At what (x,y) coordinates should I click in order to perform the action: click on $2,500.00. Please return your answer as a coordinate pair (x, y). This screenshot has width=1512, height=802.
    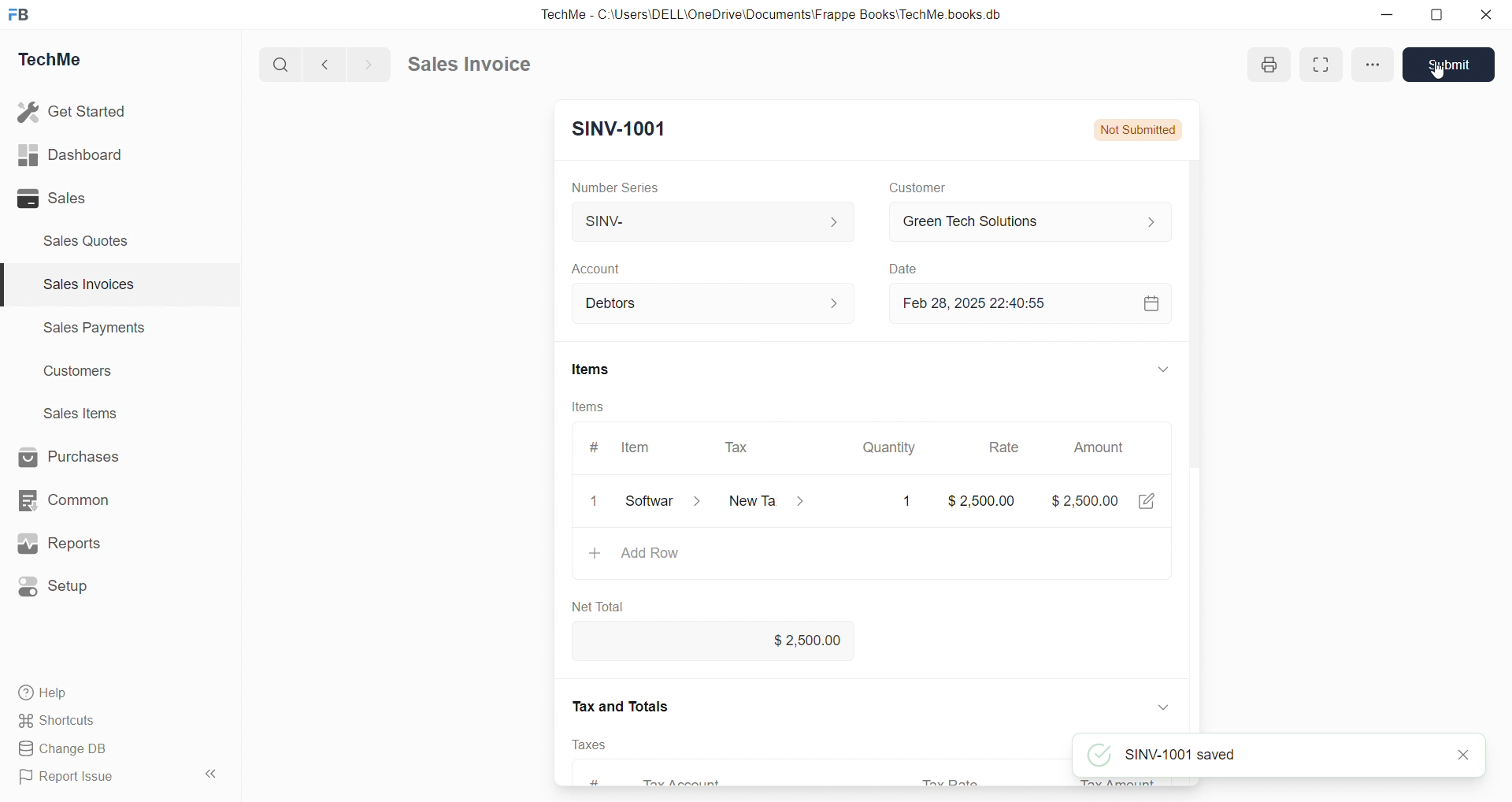
    Looking at the image, I should click on (715, 639).